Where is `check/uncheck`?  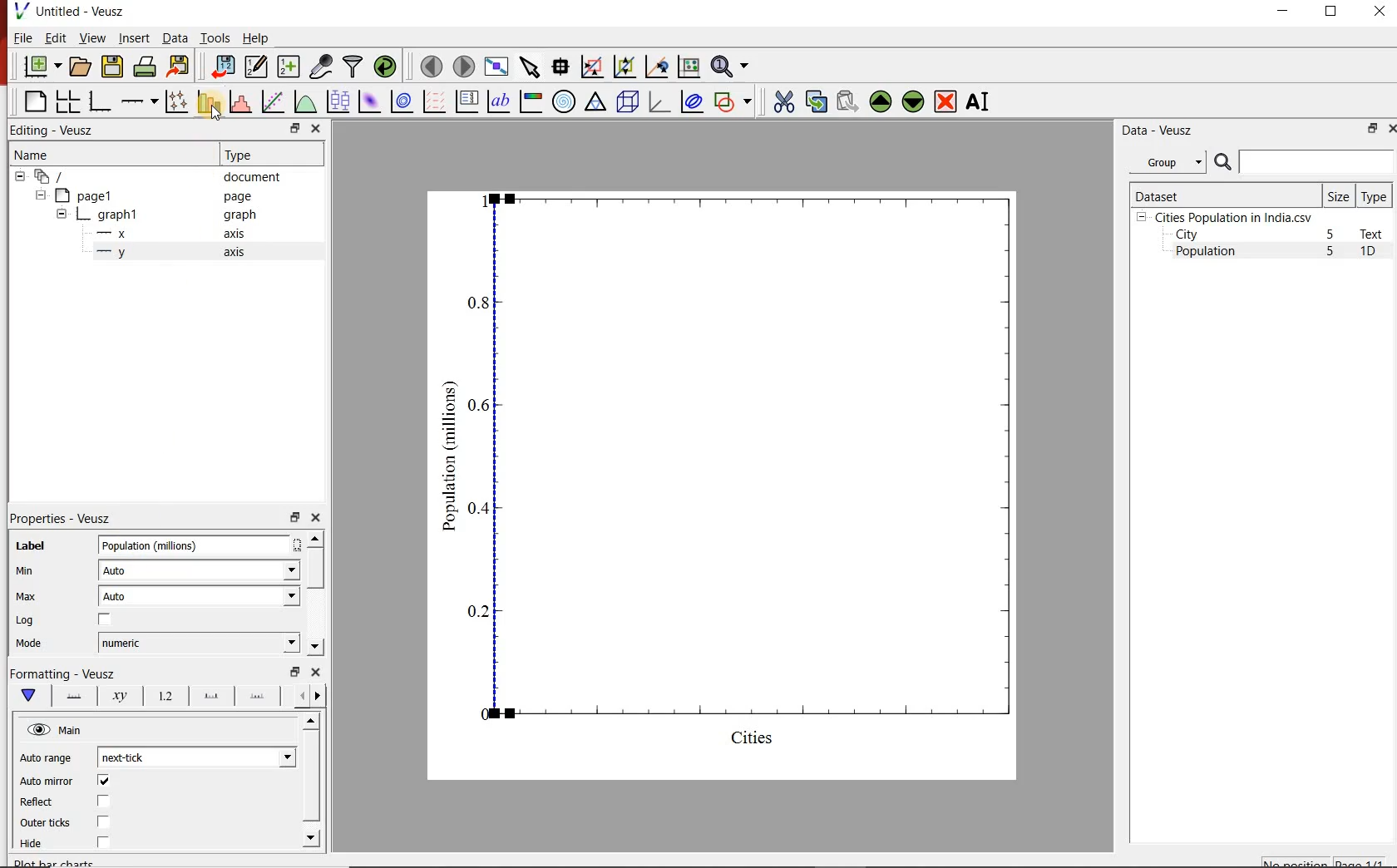
check/uncheck is located at coordinates (103, 781).